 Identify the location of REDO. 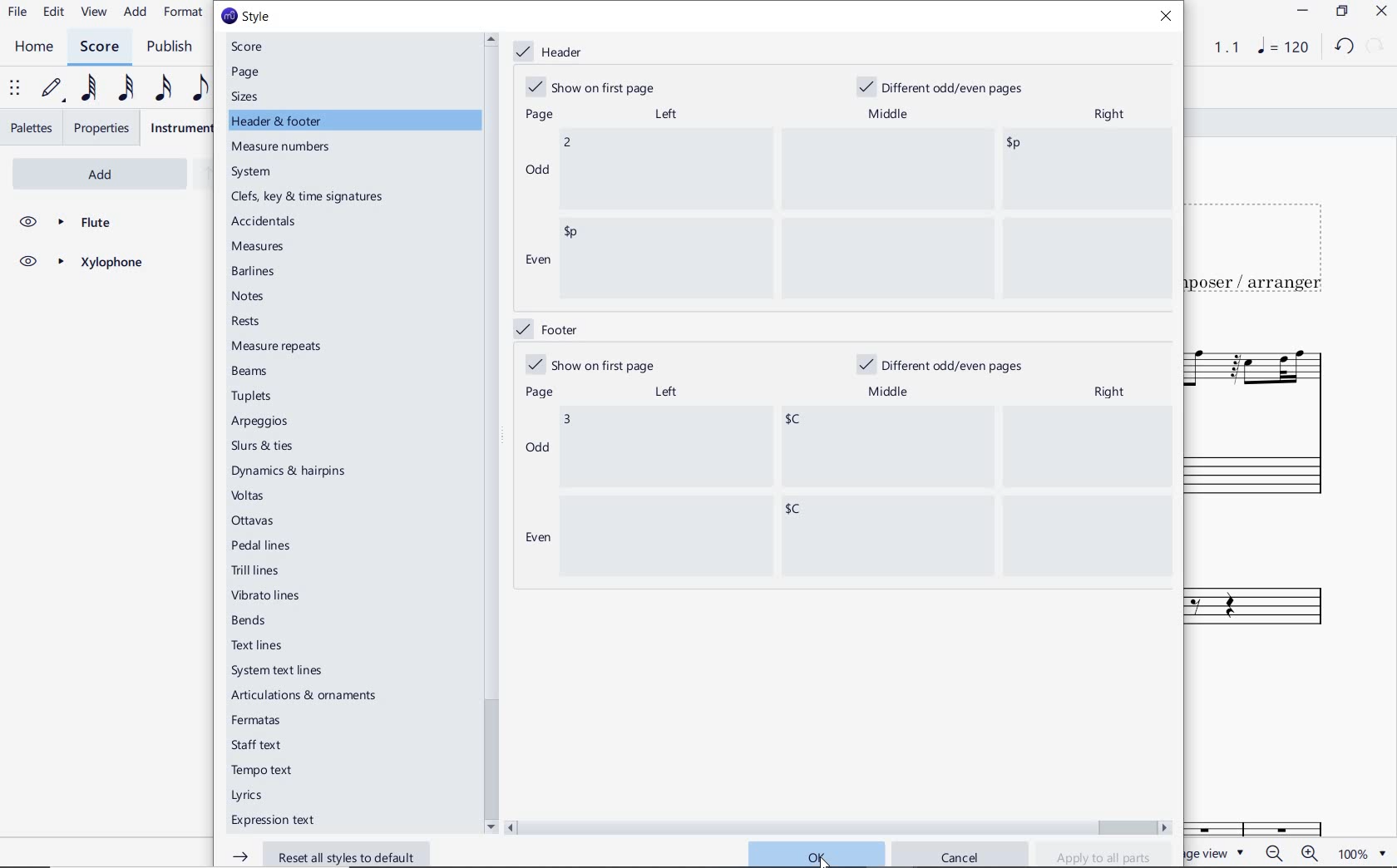
(1375, 47).